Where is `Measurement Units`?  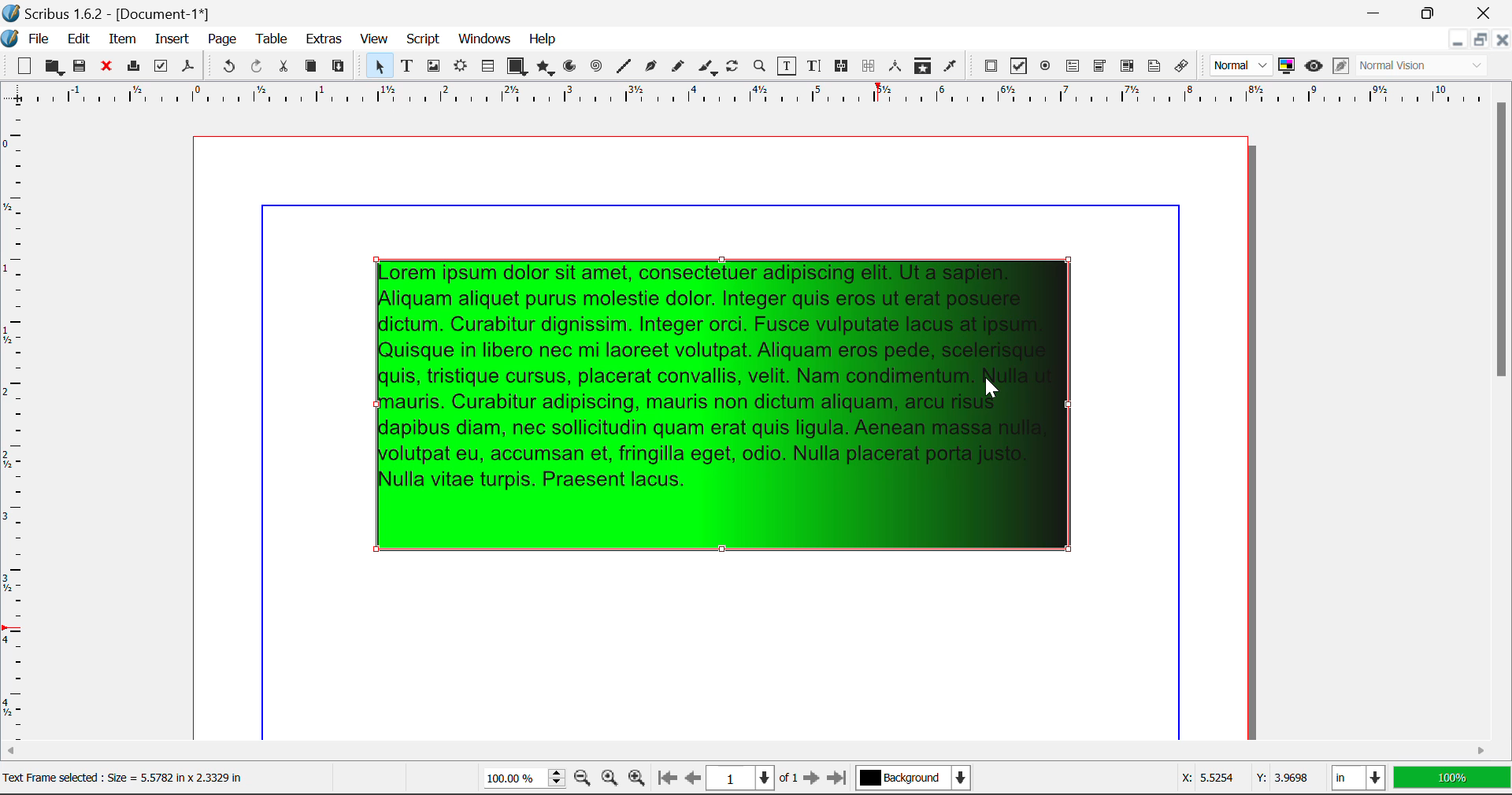
Measurement Units is located at coordinates (1360, 780).